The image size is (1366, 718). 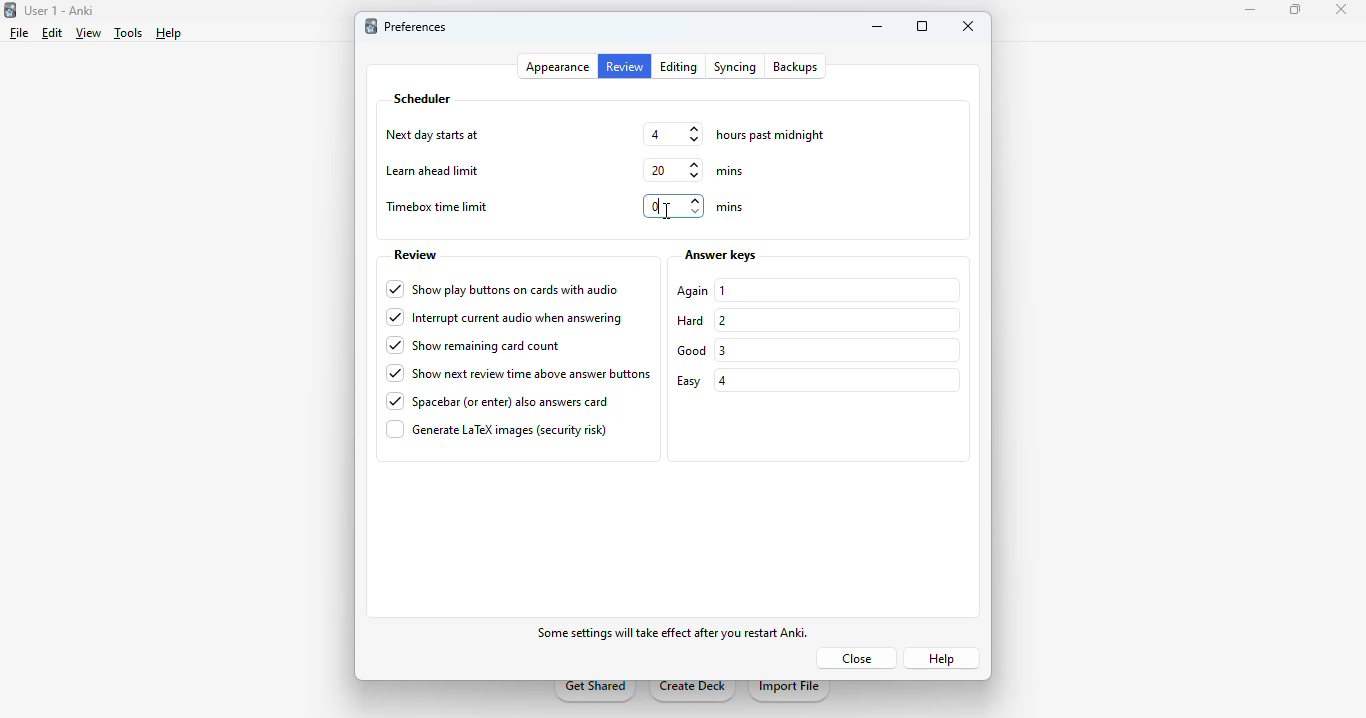 I want to click on minimize, so click(x=877, y=26).